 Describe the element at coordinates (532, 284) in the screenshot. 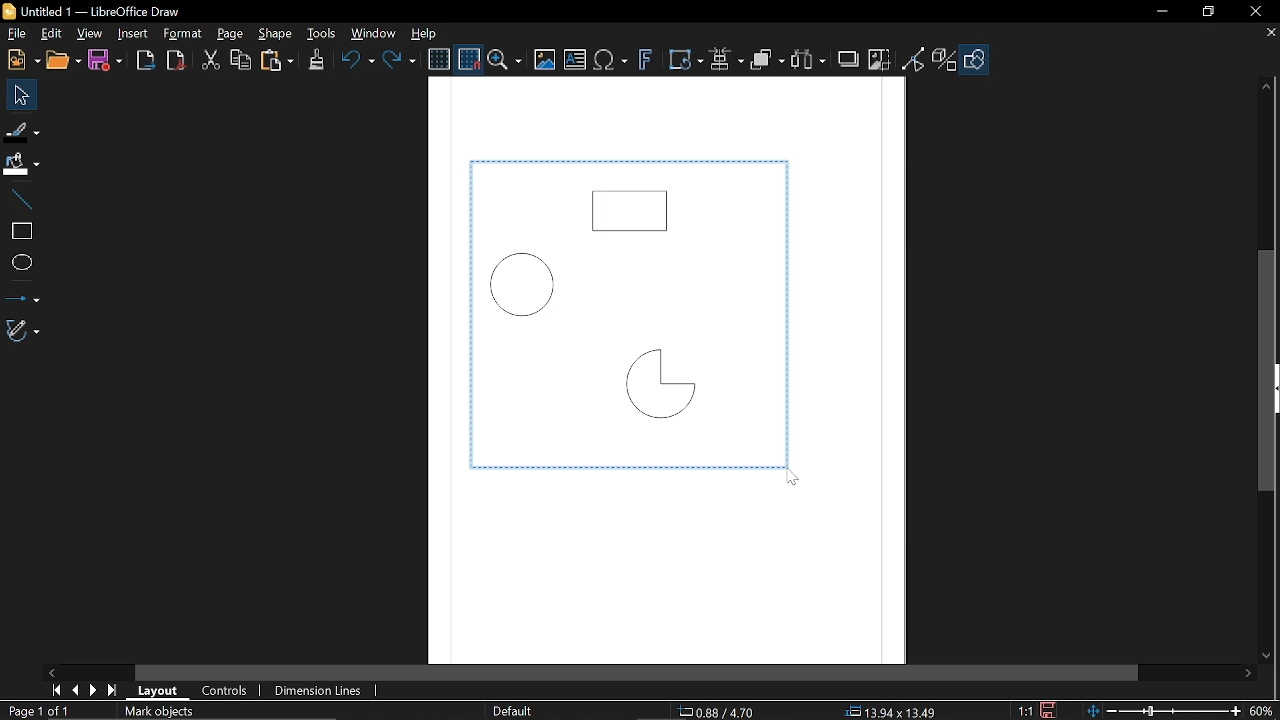

I see `Circle` at that location.